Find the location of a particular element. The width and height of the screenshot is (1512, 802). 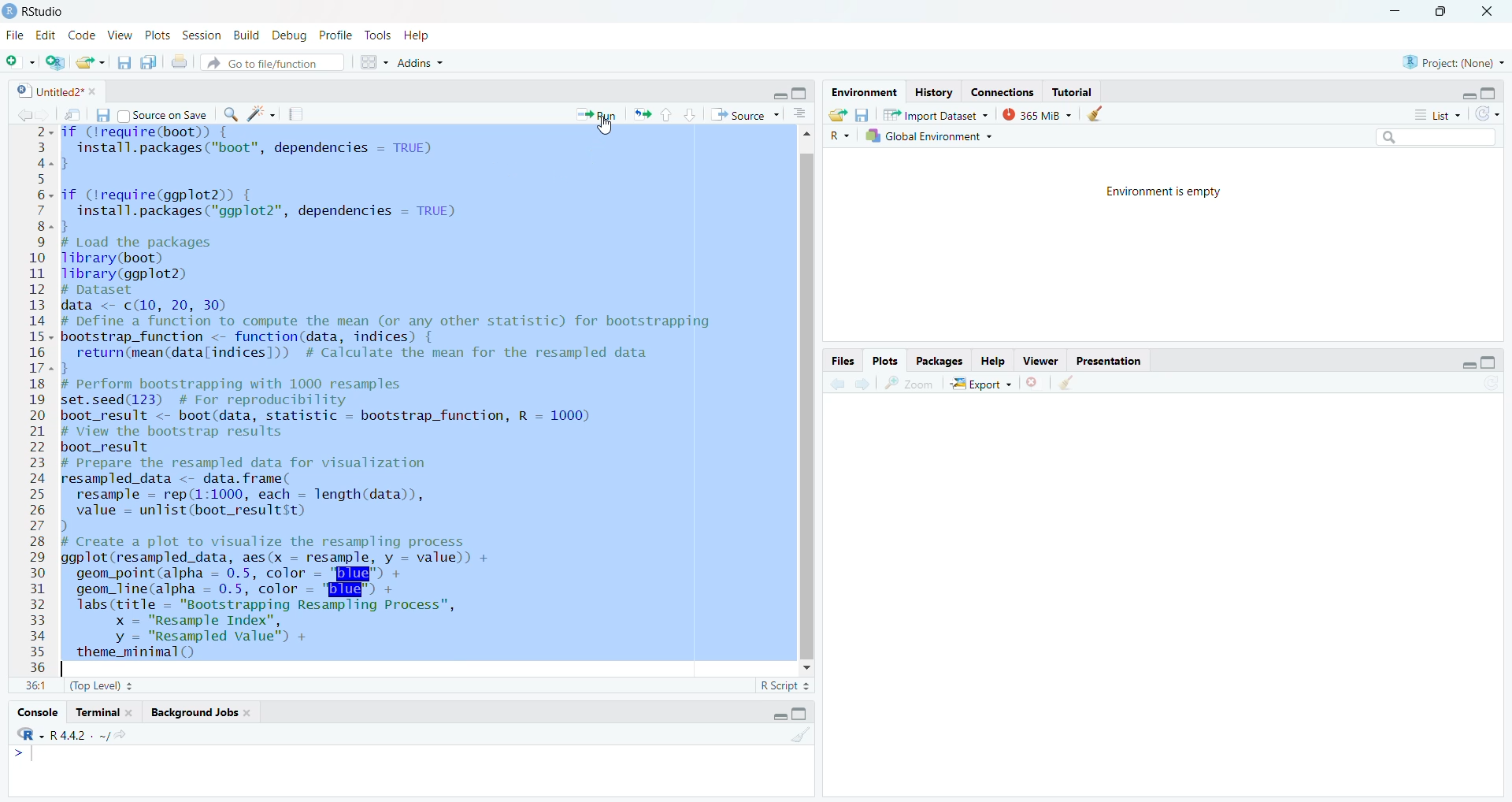

hide r script is located at coordinates (781, 717).